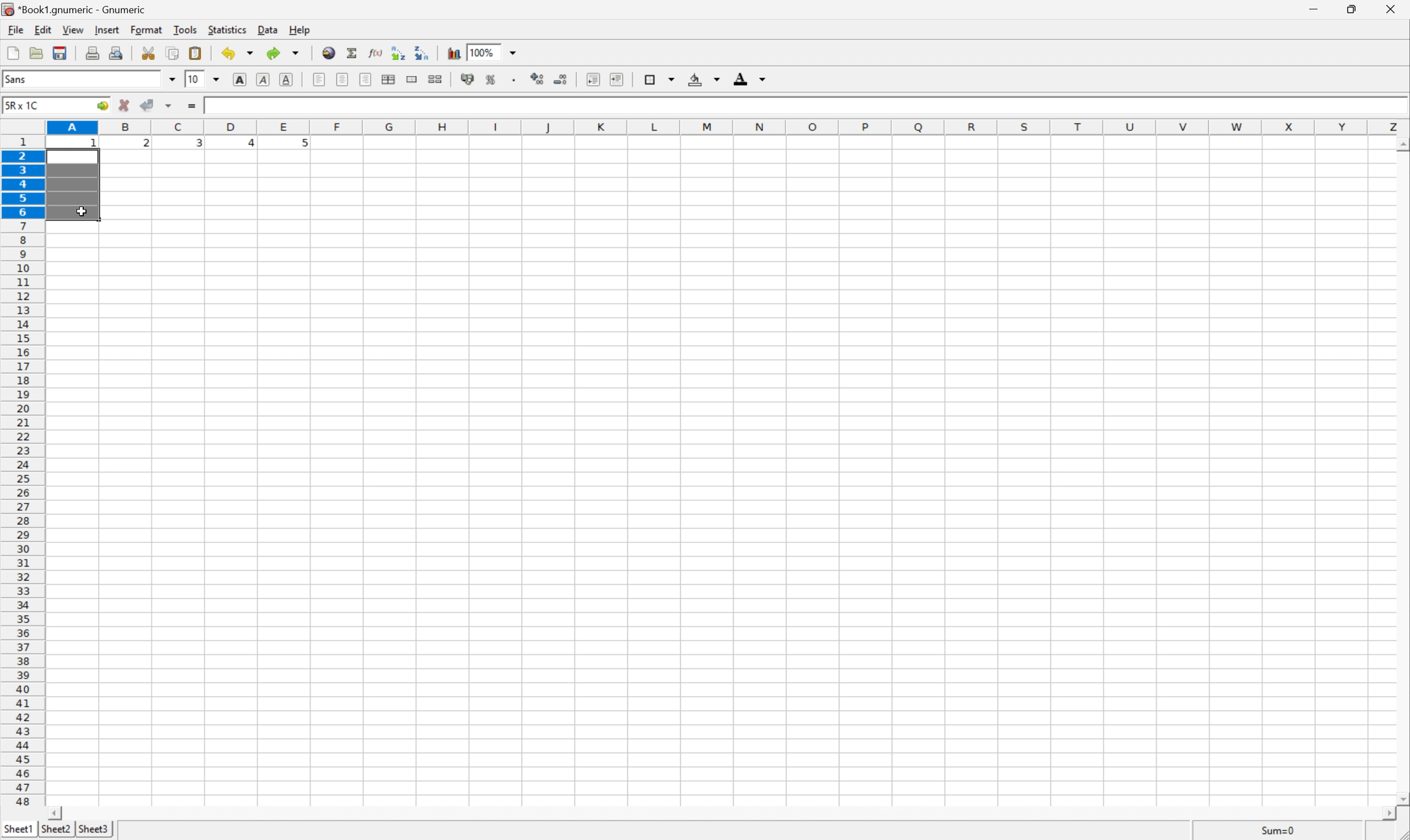 Image resolution: width=1410 pixels, height=840 pixels. Describe the element at coordinates (38, 52) in the screenshot. I see `open file` at that location.